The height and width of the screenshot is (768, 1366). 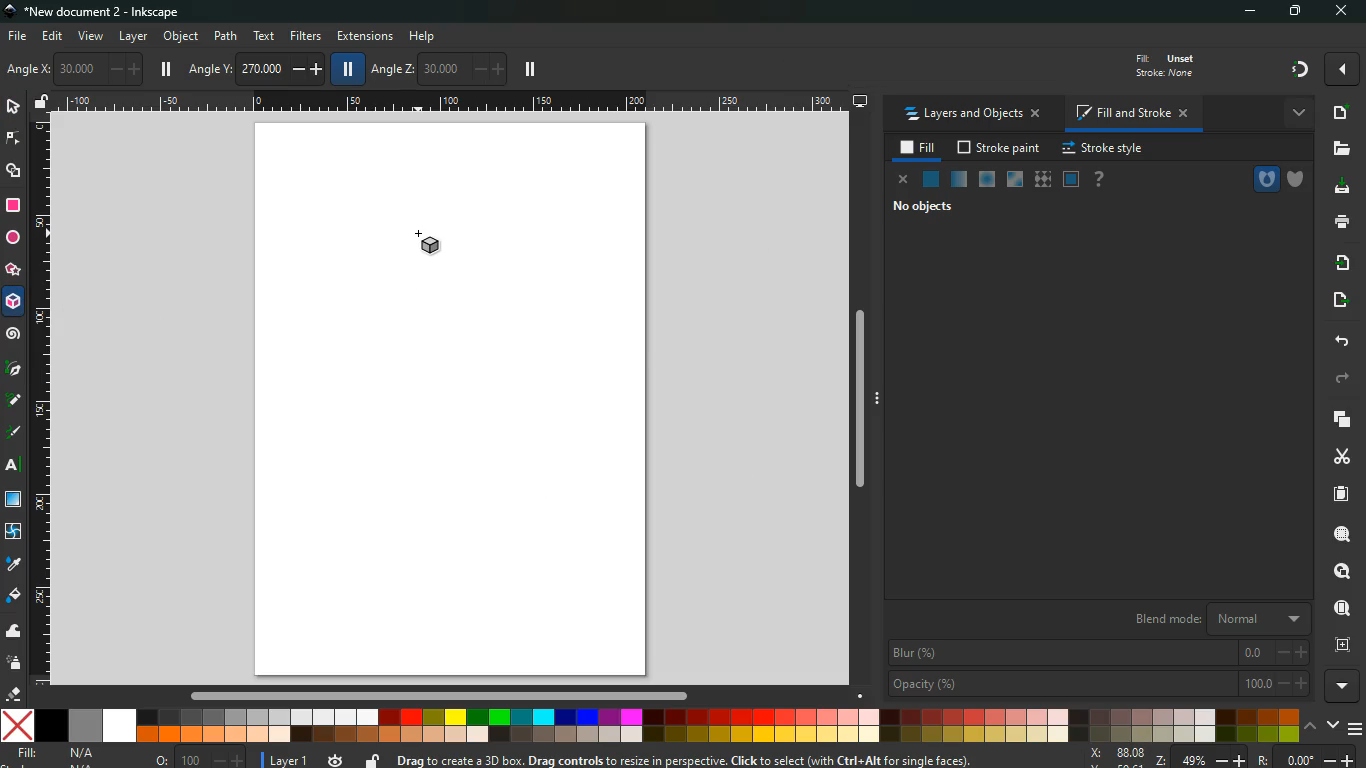 What do you see at coordinates (1342, 69) in the screenshot?
I see `more` at bounding box center [1342, 69].